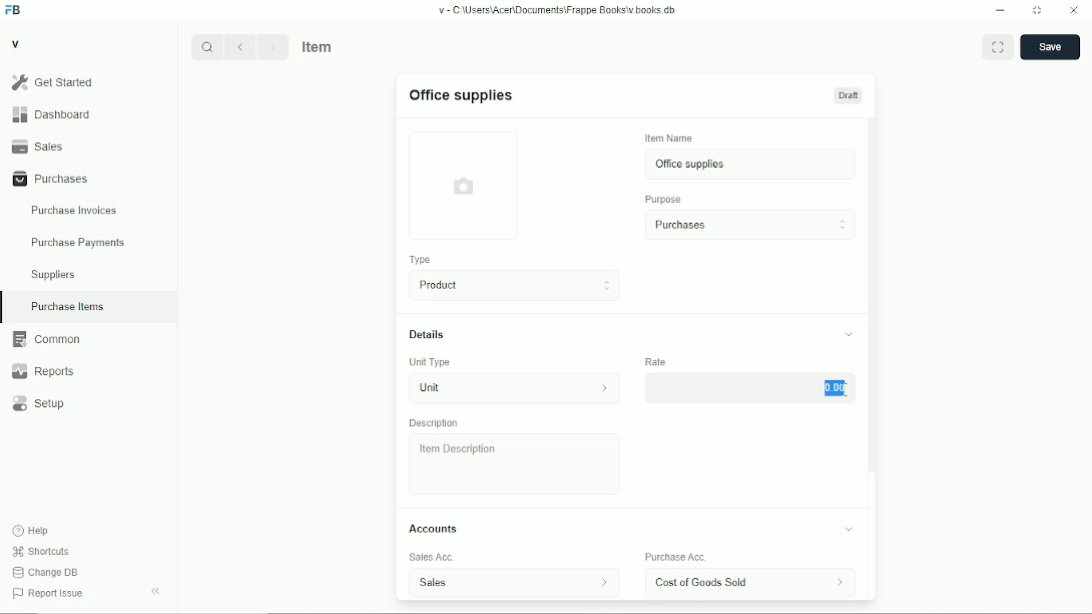 This screenshot has height=614, width=1092. Describe the element at coordinates (422, 260) in the screenshot. I see `type` at that location.